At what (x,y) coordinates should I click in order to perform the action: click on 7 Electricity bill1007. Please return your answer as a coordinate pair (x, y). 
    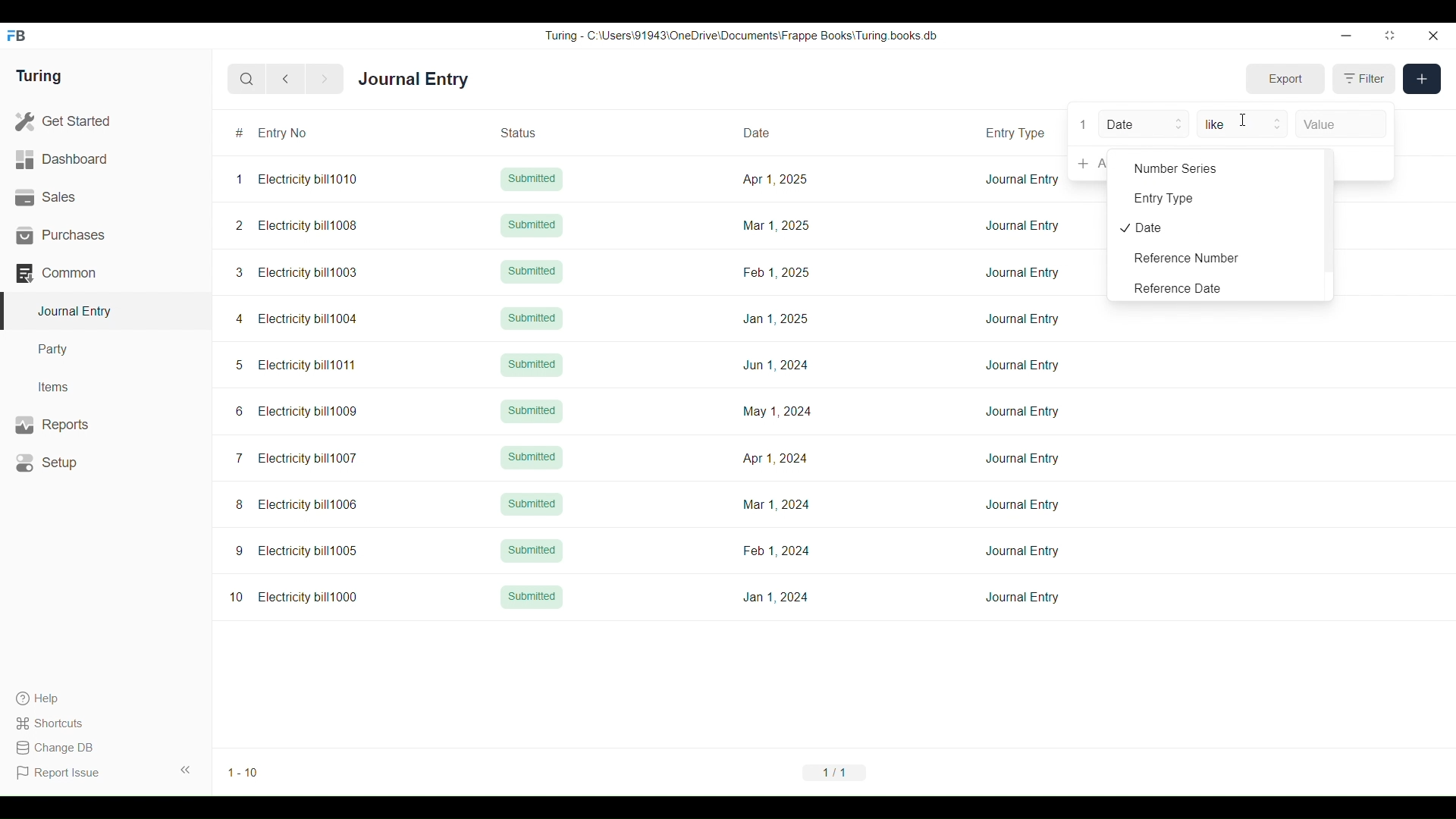
    Looking at the image, I should click on (296, 458).